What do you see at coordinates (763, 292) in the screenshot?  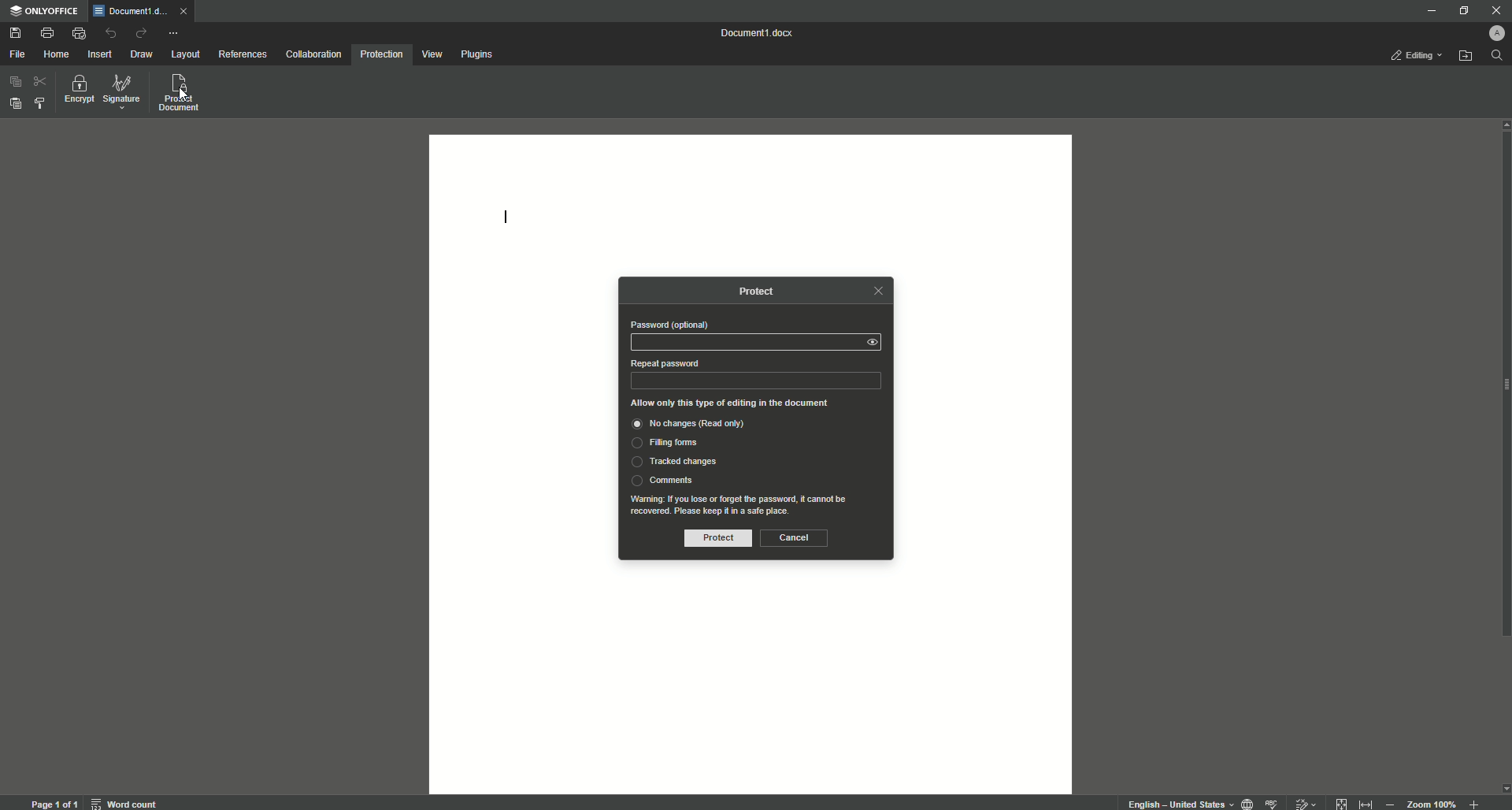 I see `Protect` at bounding box center [763, 292].